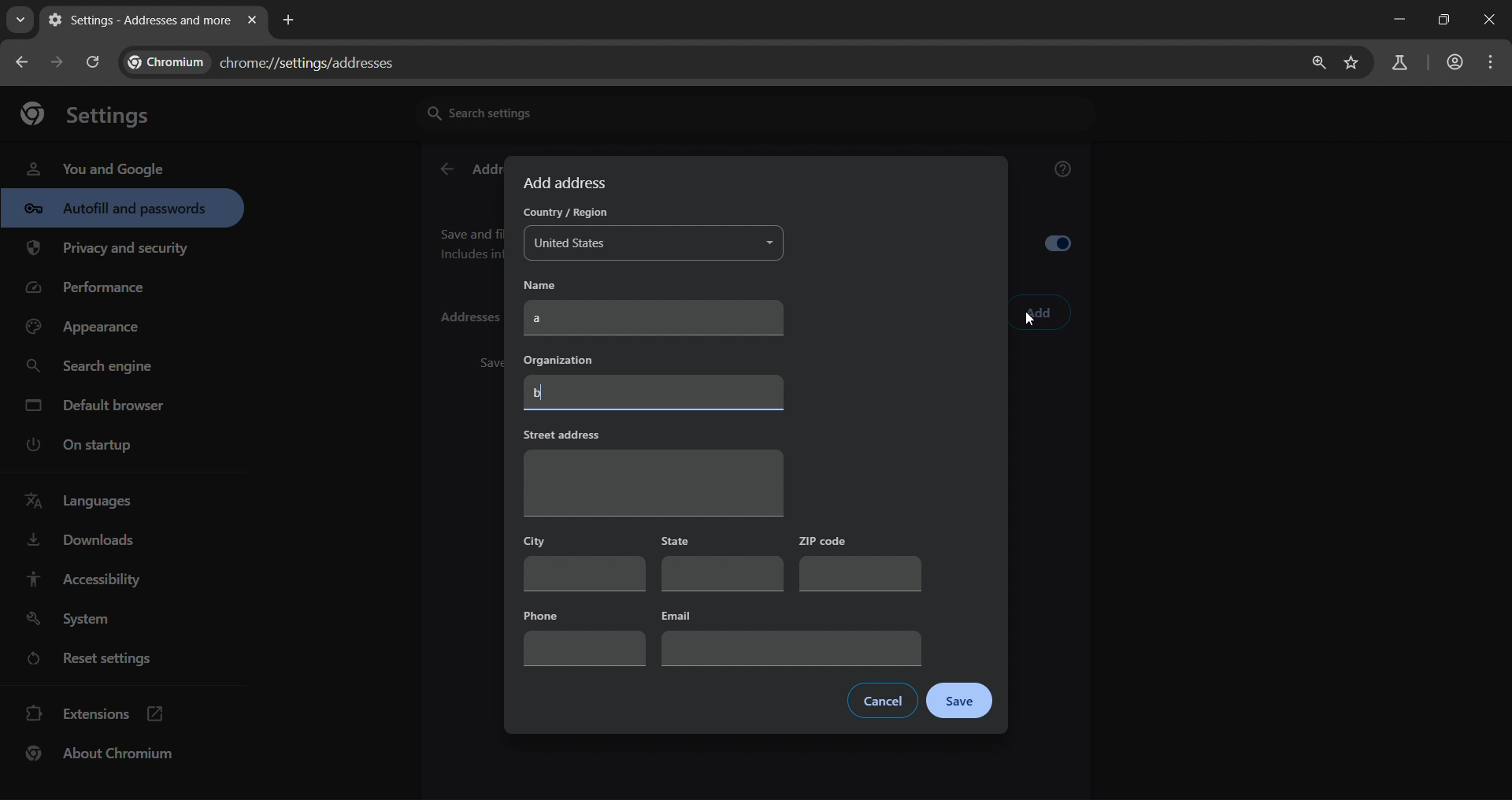  I want to click on add address, so click(568, 183).